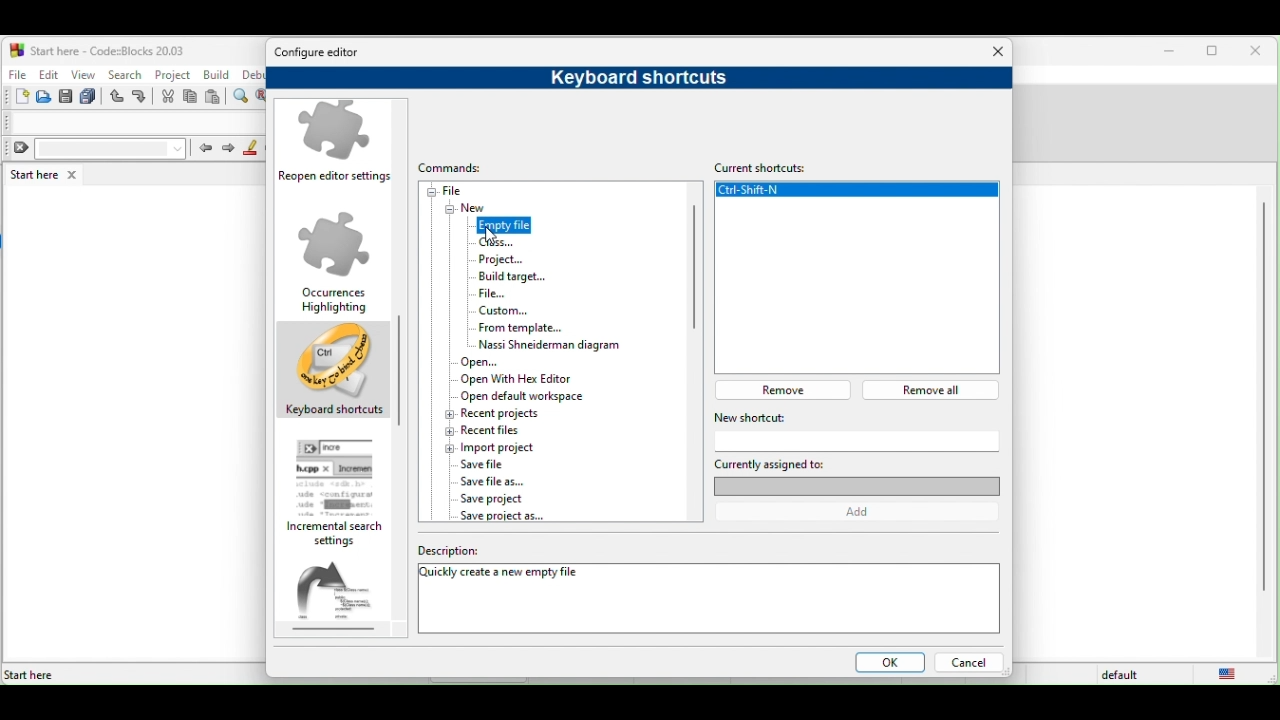  Describe the element at coordinates (474, 208) in the screenshot. I see `new` at that location.